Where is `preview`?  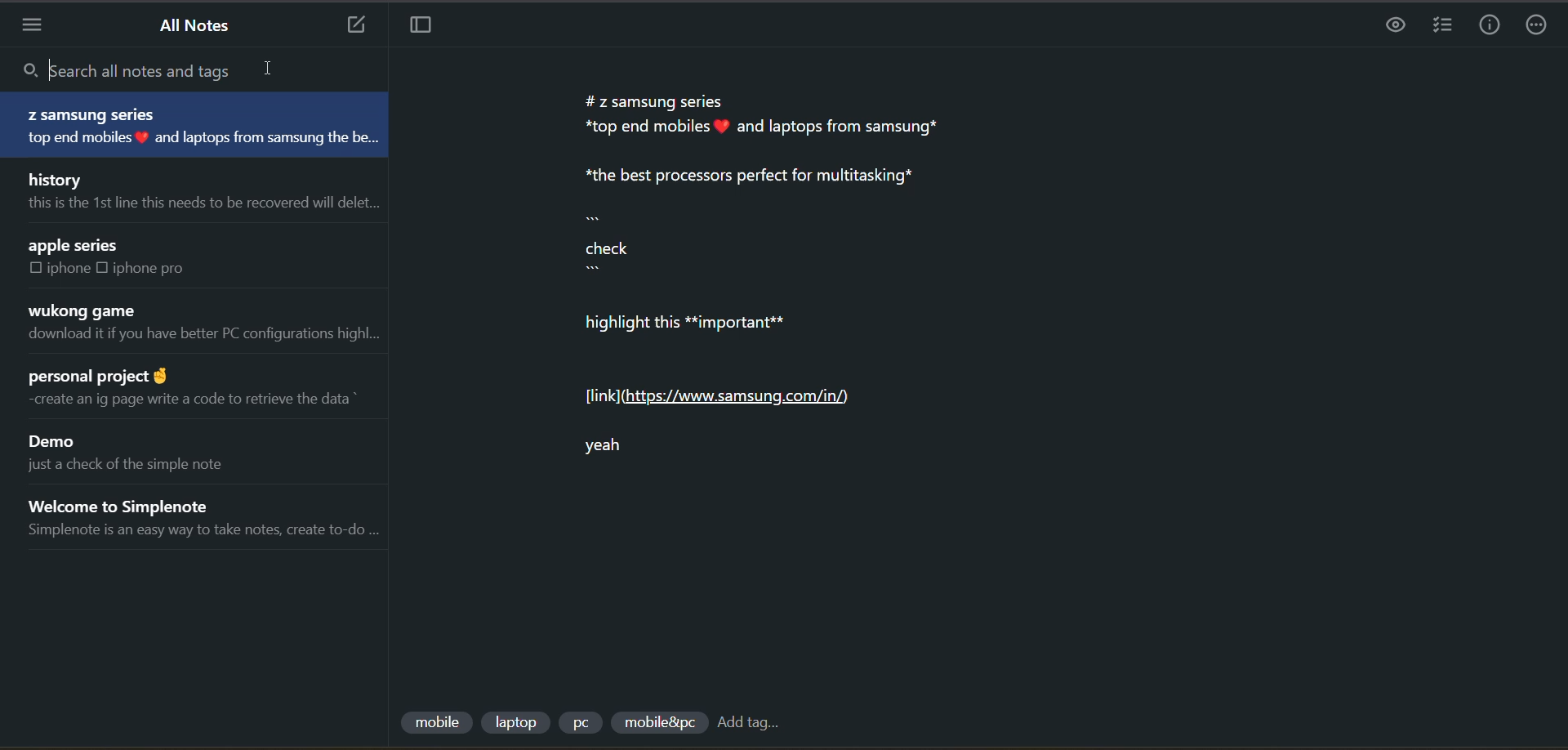
preview is located at coordinates (1396, 27).